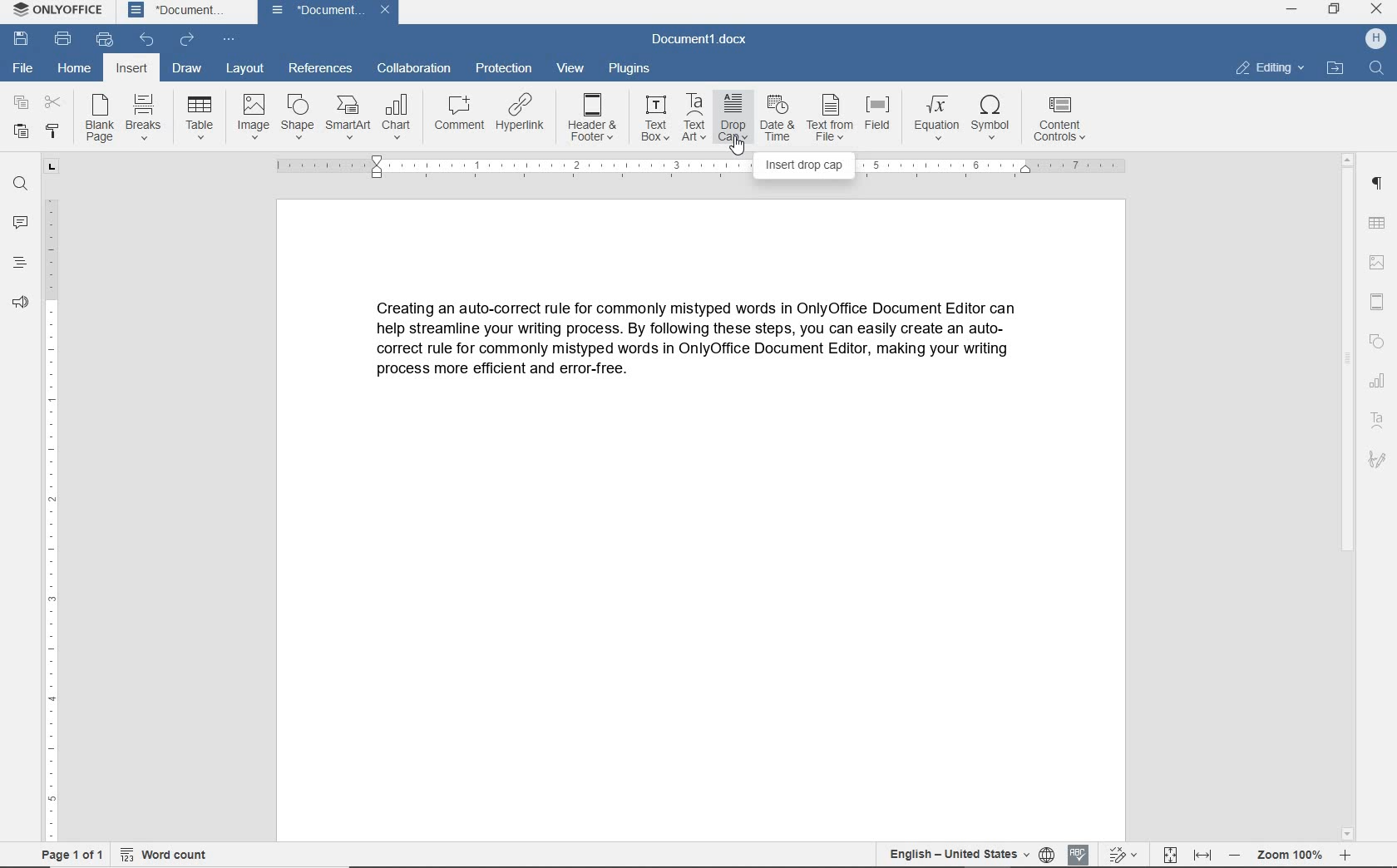 The height and width of the screenshot is (868, 1397). Describe the element at coordinates (21, 303) in the screenshot. I see `feedback & support` at that location.